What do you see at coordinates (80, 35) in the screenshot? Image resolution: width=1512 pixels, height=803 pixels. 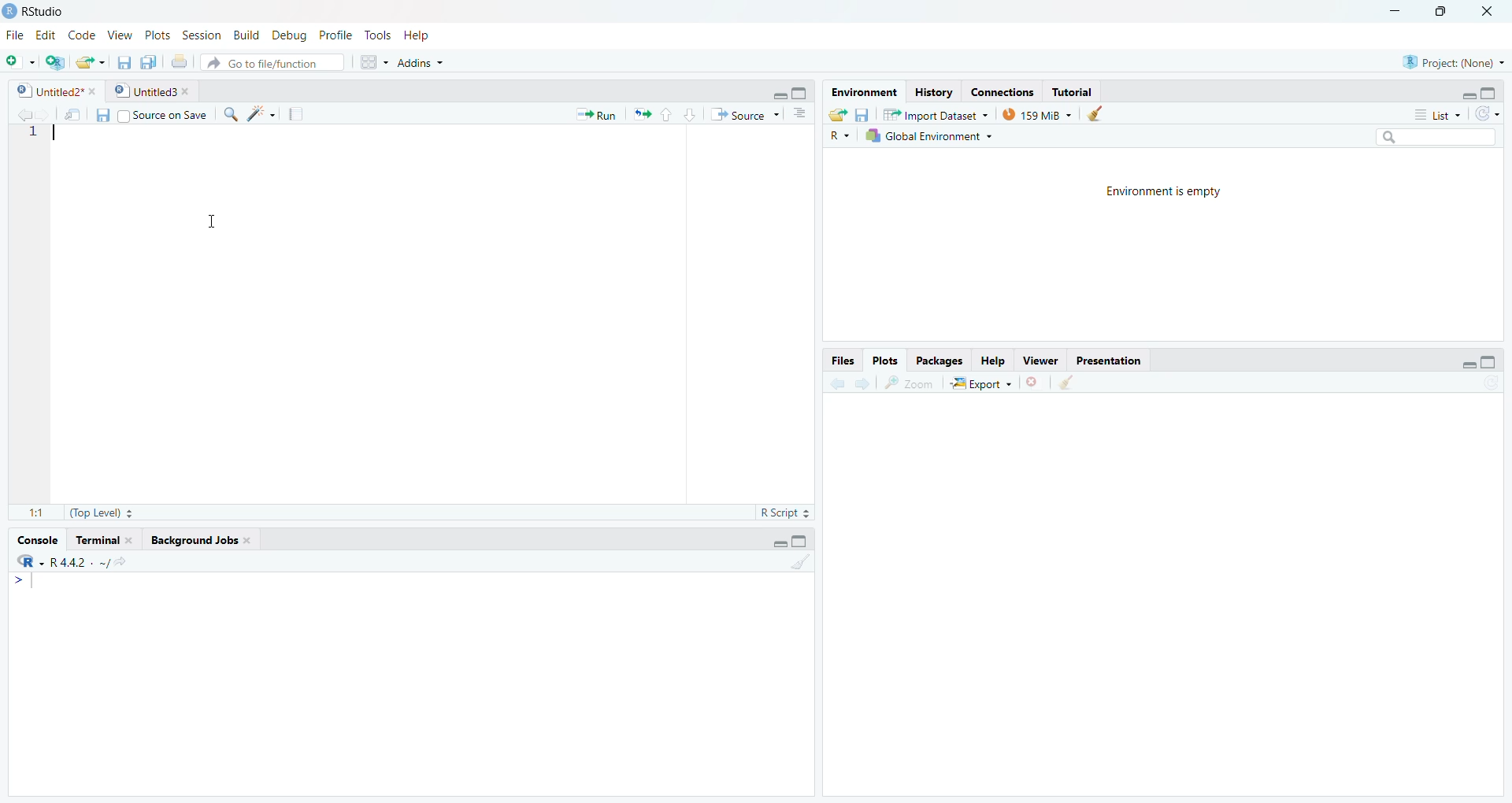 I see `Code` at bounding box center [80, 35].